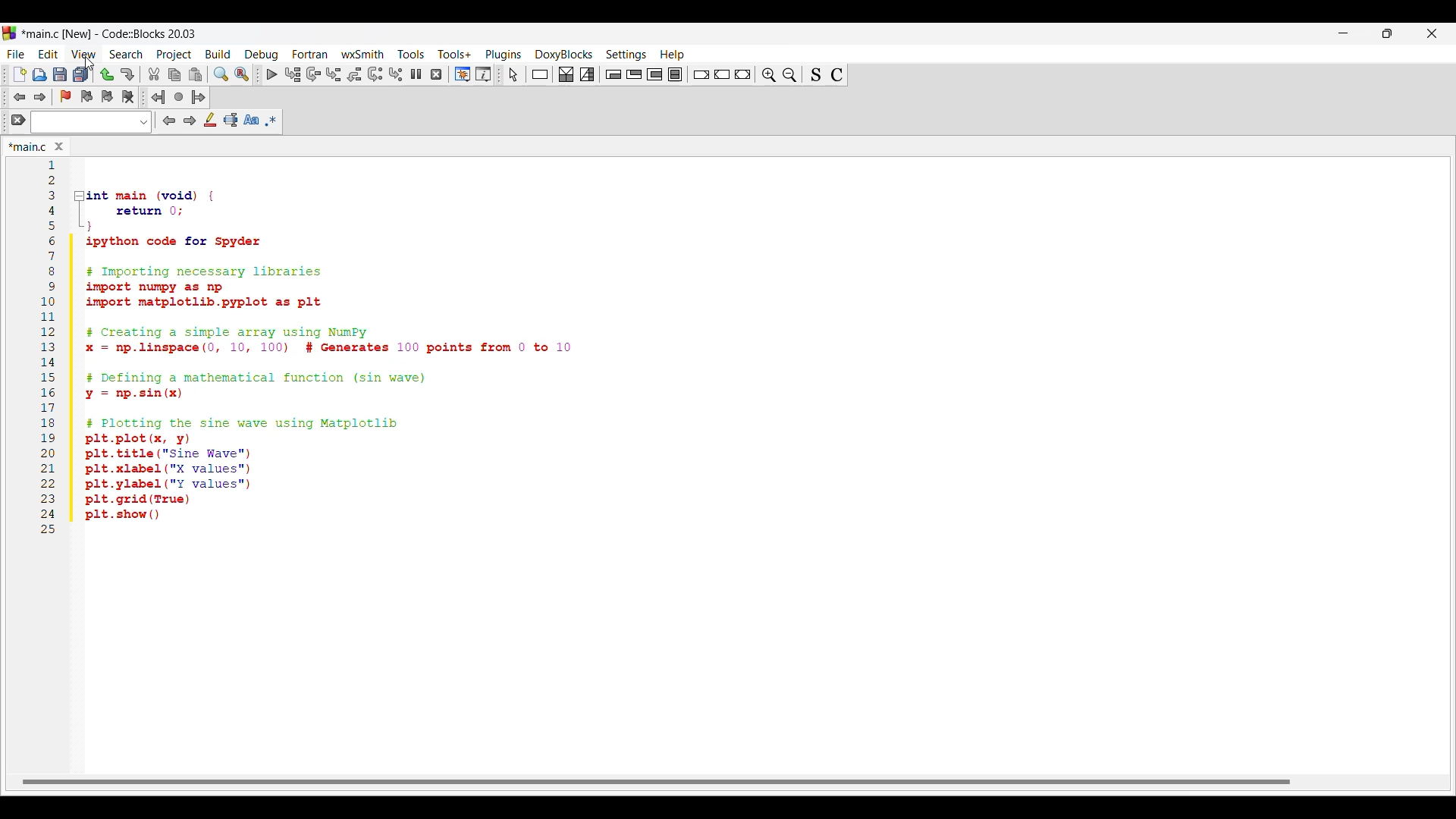 This screenshot has width=1456, height=819. What do you see at coordinates (18, 120) in the screenshot?
I see `Clear` at bounding box center [18, 120].